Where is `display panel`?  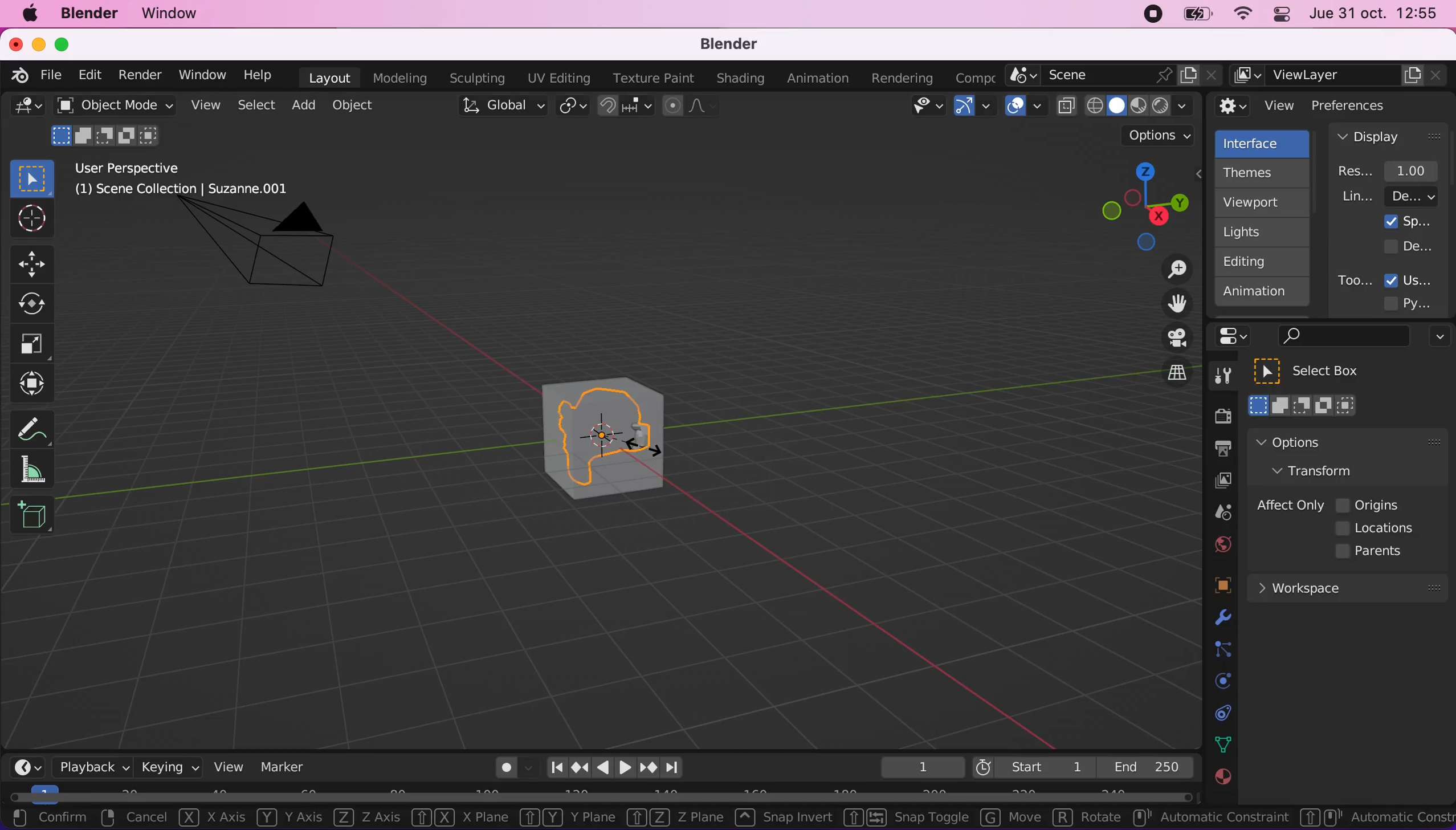 display panel is located at coordinates (1389, 136).